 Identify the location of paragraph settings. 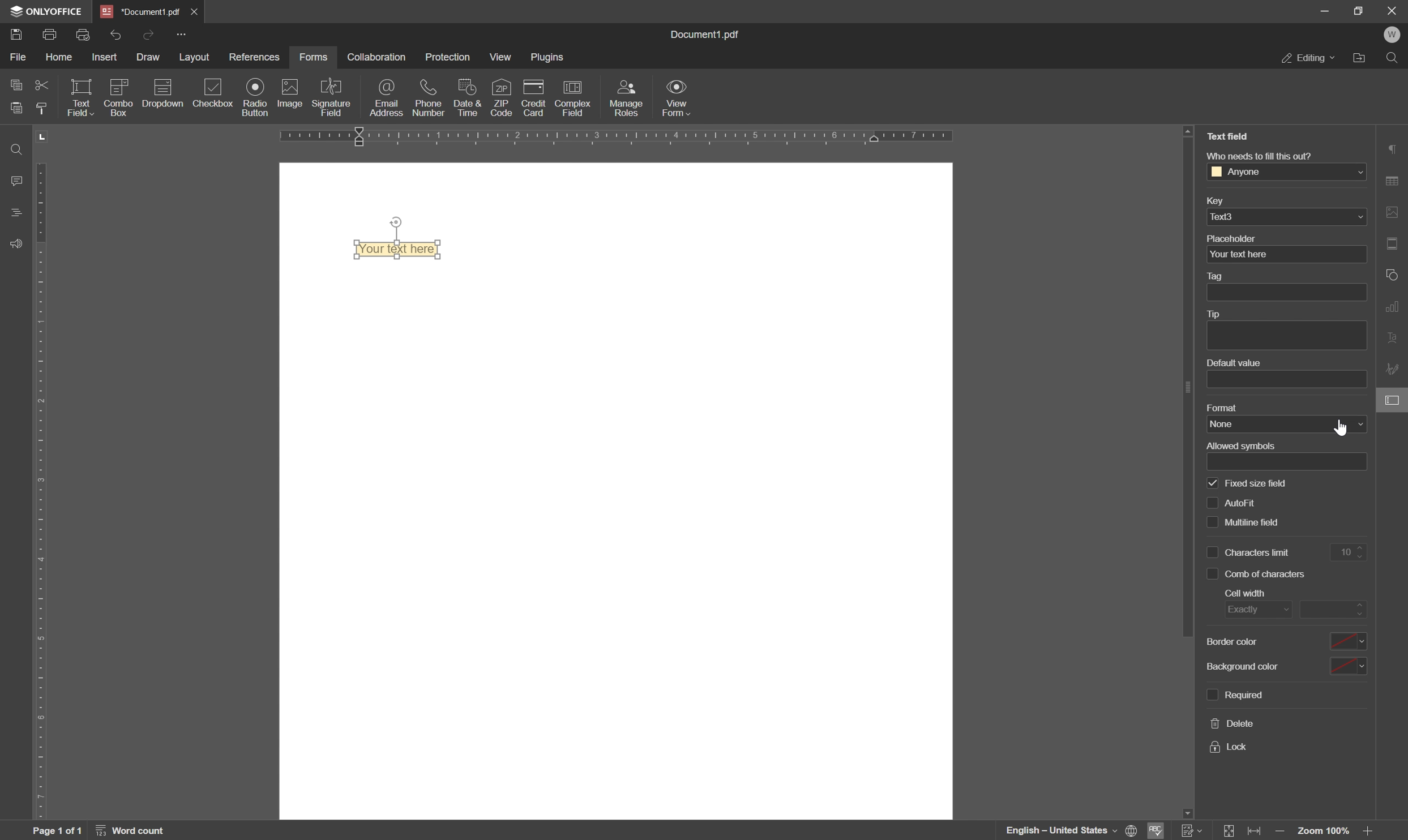
(1394, 148).